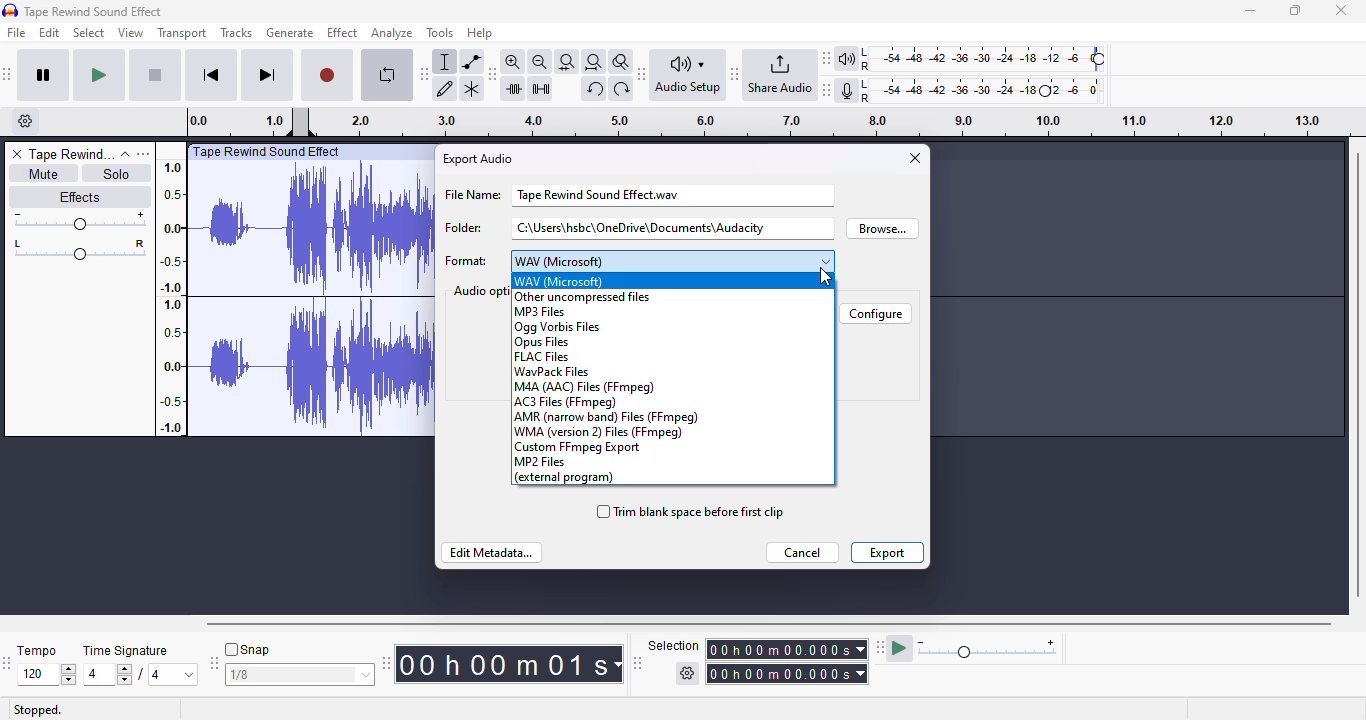  What do you see at coordinates (476, 159) in the screenshot?
I see `export audio` at bounding box center [476, 159].